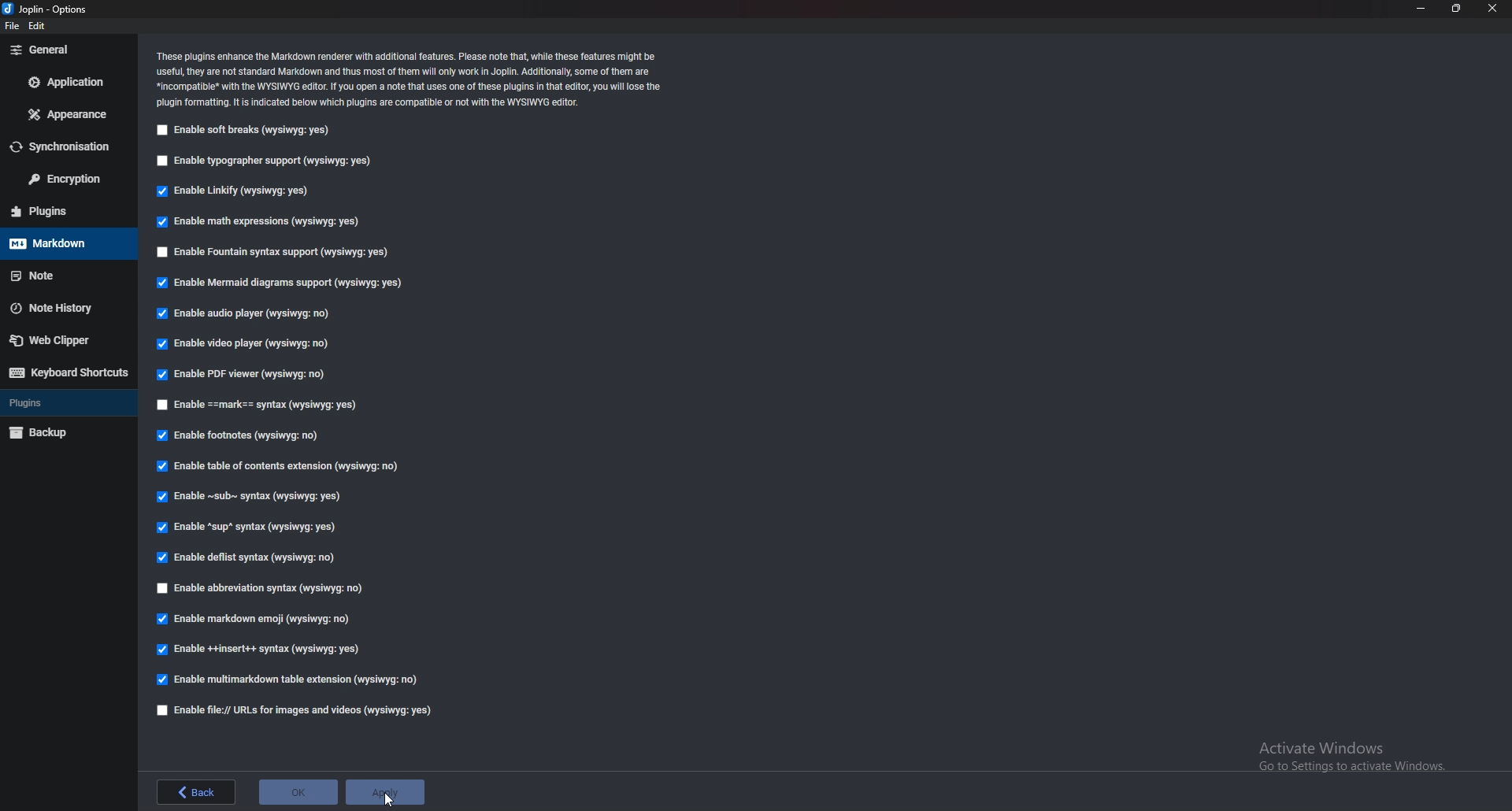 This screenshot has height=811, width=1512. What do you see at coordinates (63, 275) in the screenshot?
I see `note` at bounding box center [63, 275].